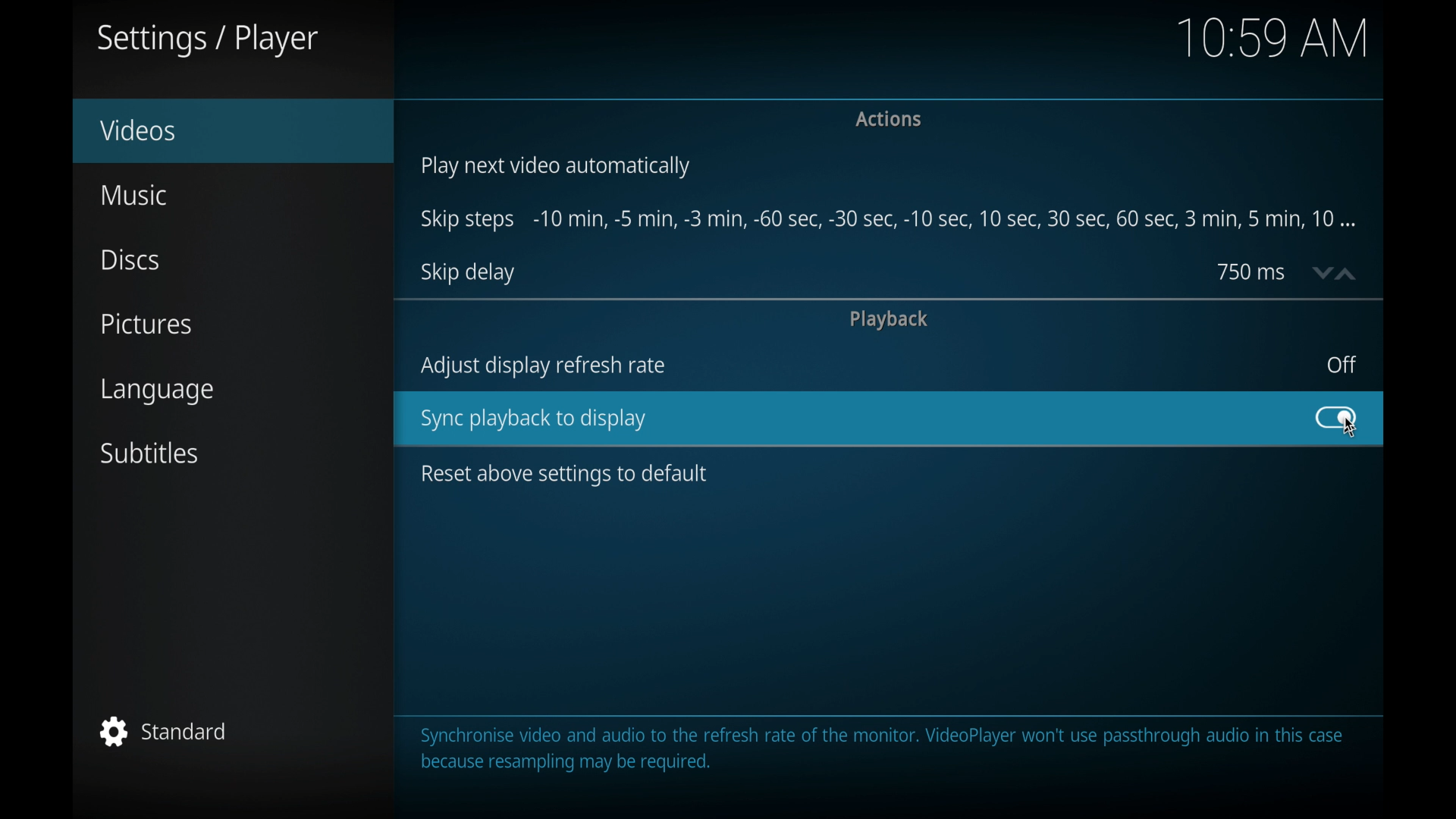 The width and height of the screenshot is (1456, 819). I want to click on discs, so click(133, 260).